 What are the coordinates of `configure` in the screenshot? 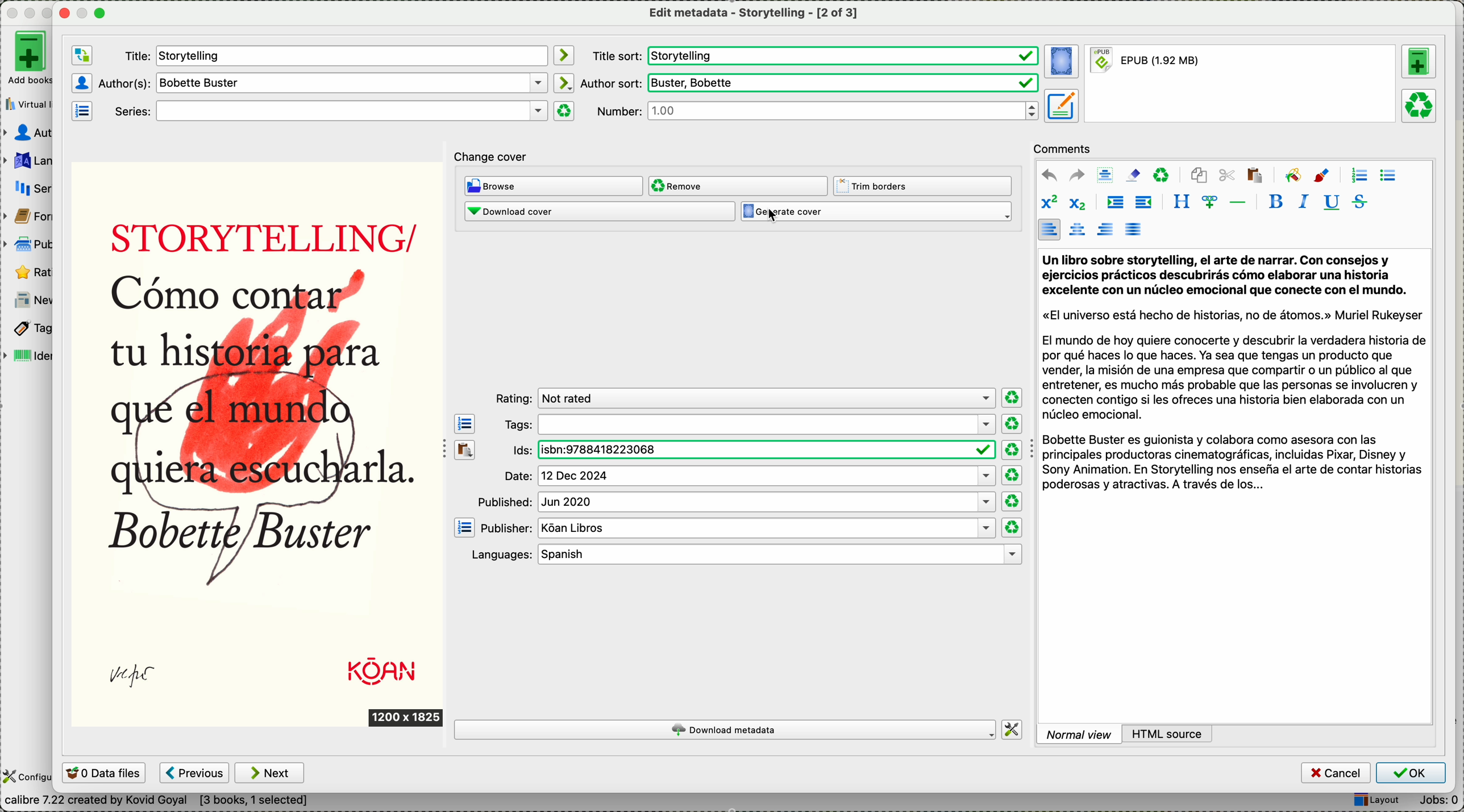 It's located at (27, 777).